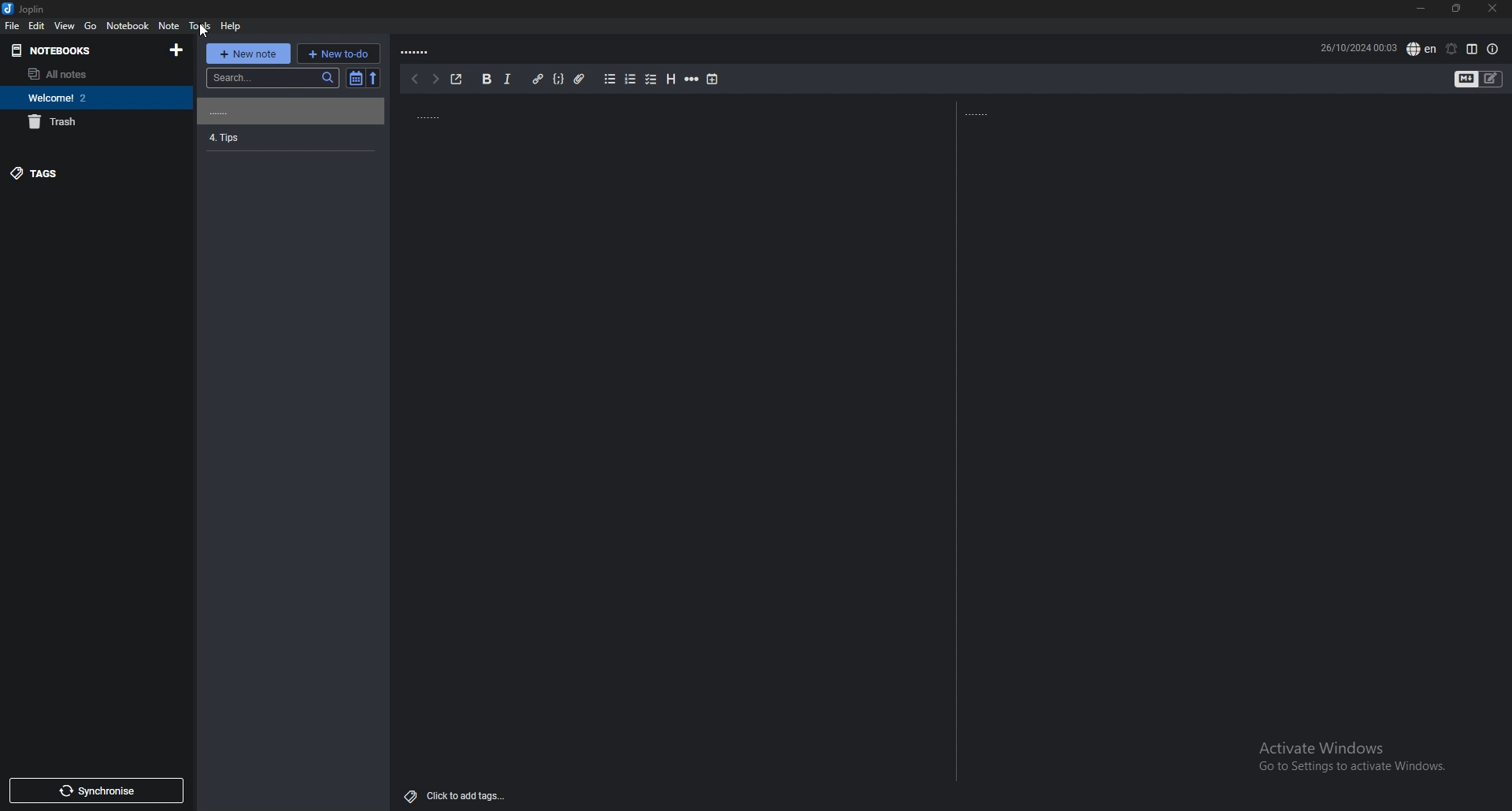 Image resolution: width=1512 pixels, height=811 pixels. I want to click on help, so click(230, 27).